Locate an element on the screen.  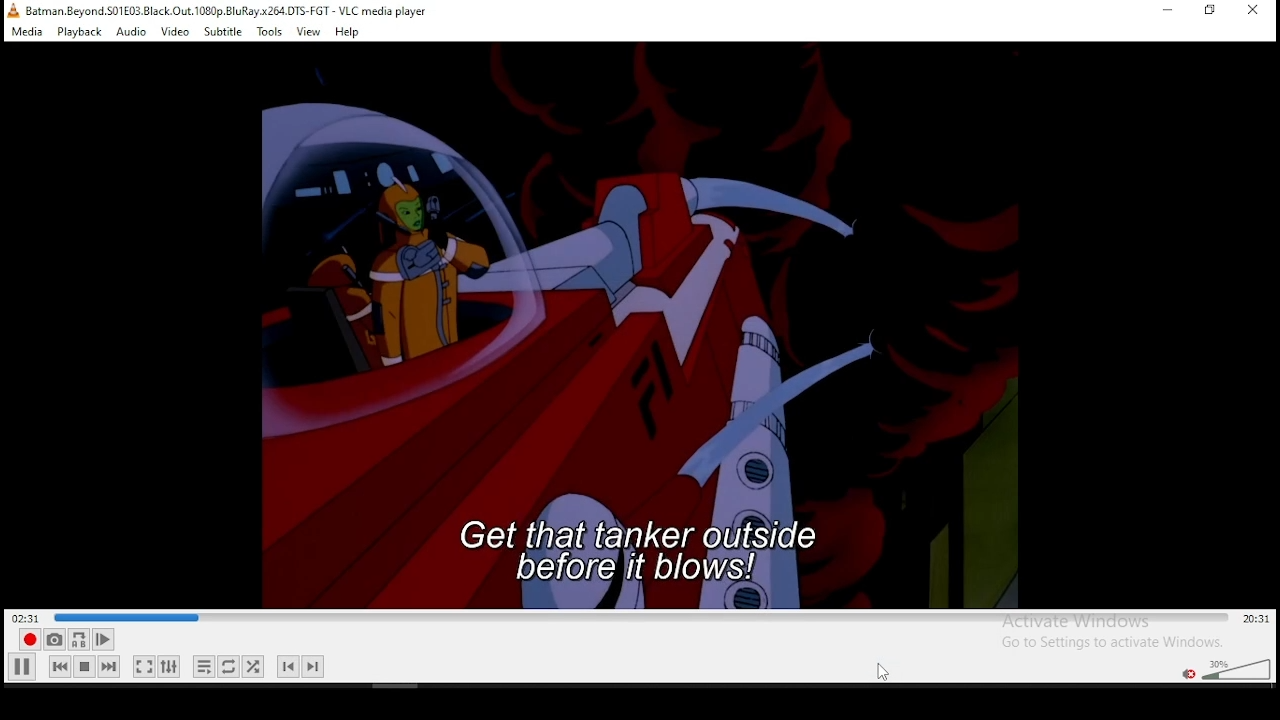
playback is located at coordinates (81, 32).